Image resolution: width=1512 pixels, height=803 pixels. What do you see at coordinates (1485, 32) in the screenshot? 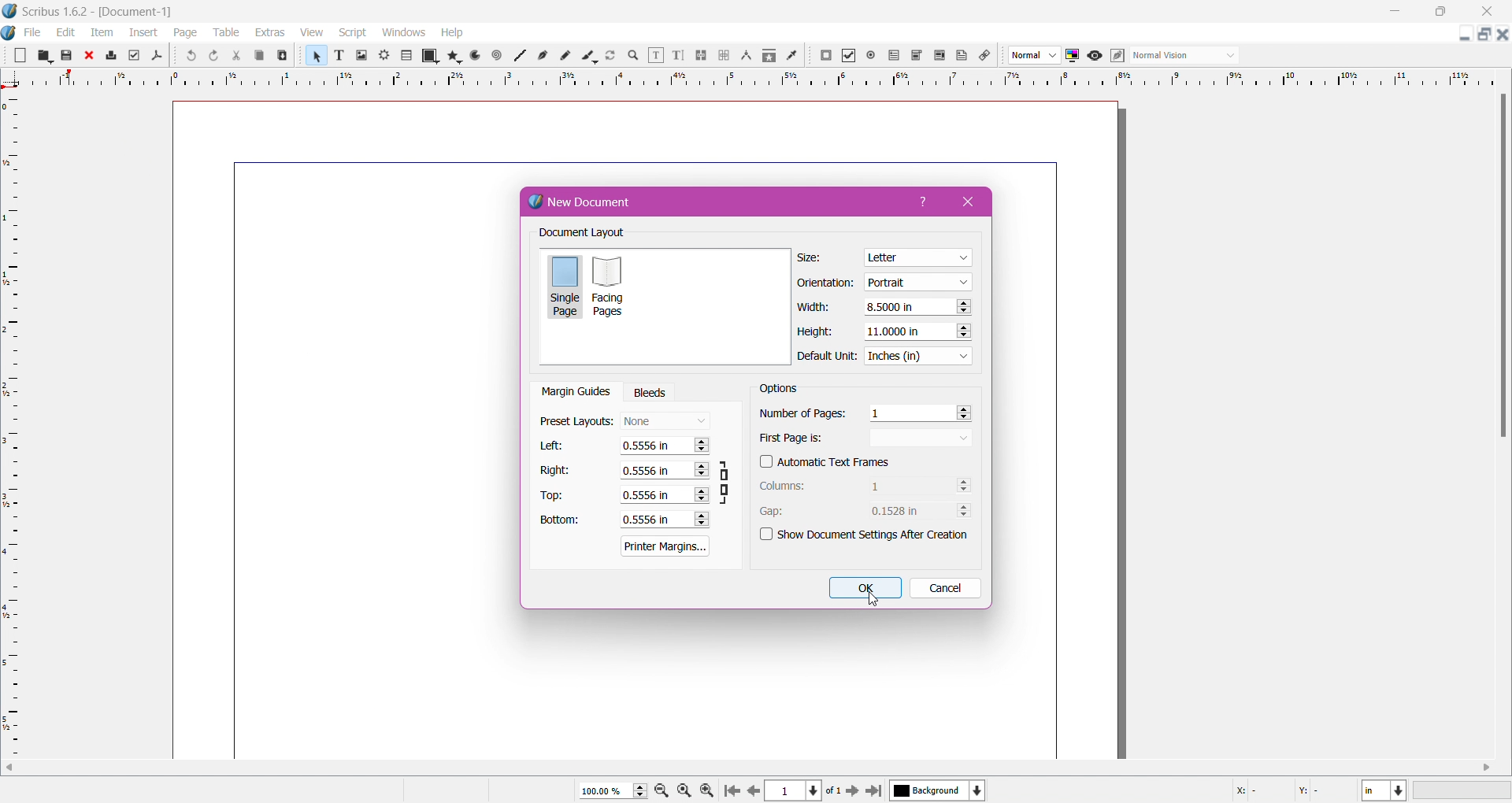
I see `multiple tabs` at bounding box center [1485, 32].